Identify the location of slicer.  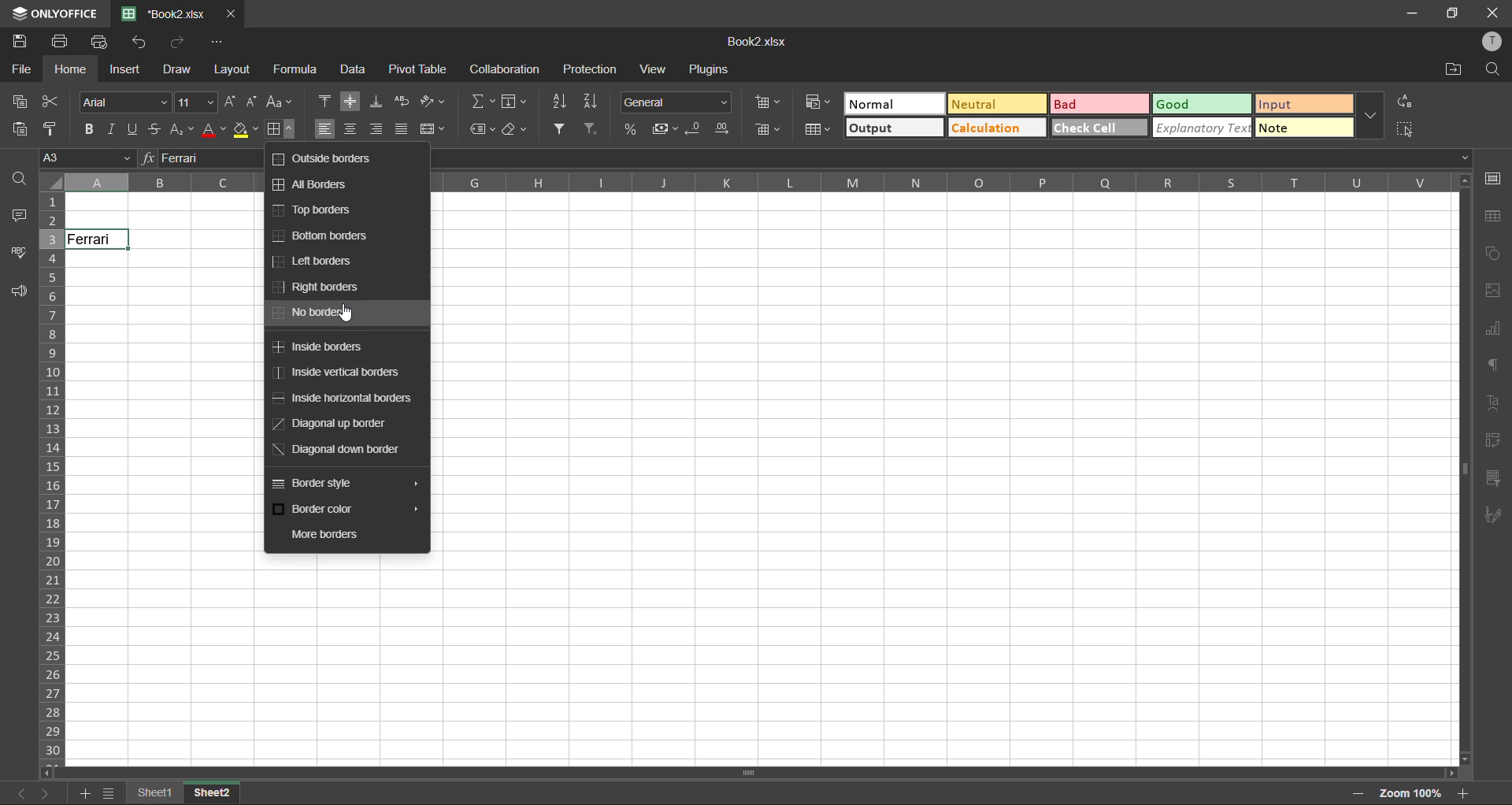
(1492, 481).